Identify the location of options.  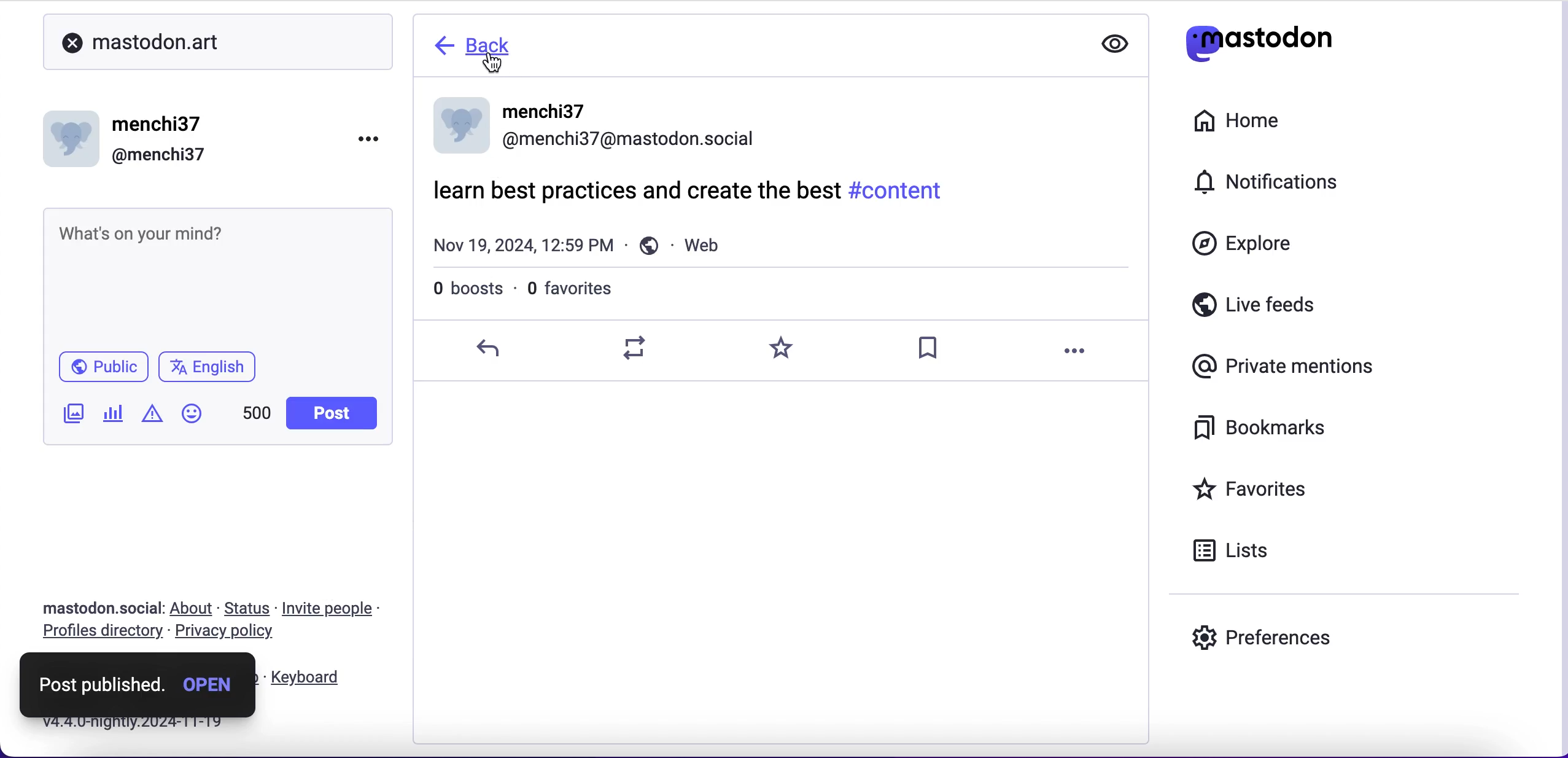
(375, 137).